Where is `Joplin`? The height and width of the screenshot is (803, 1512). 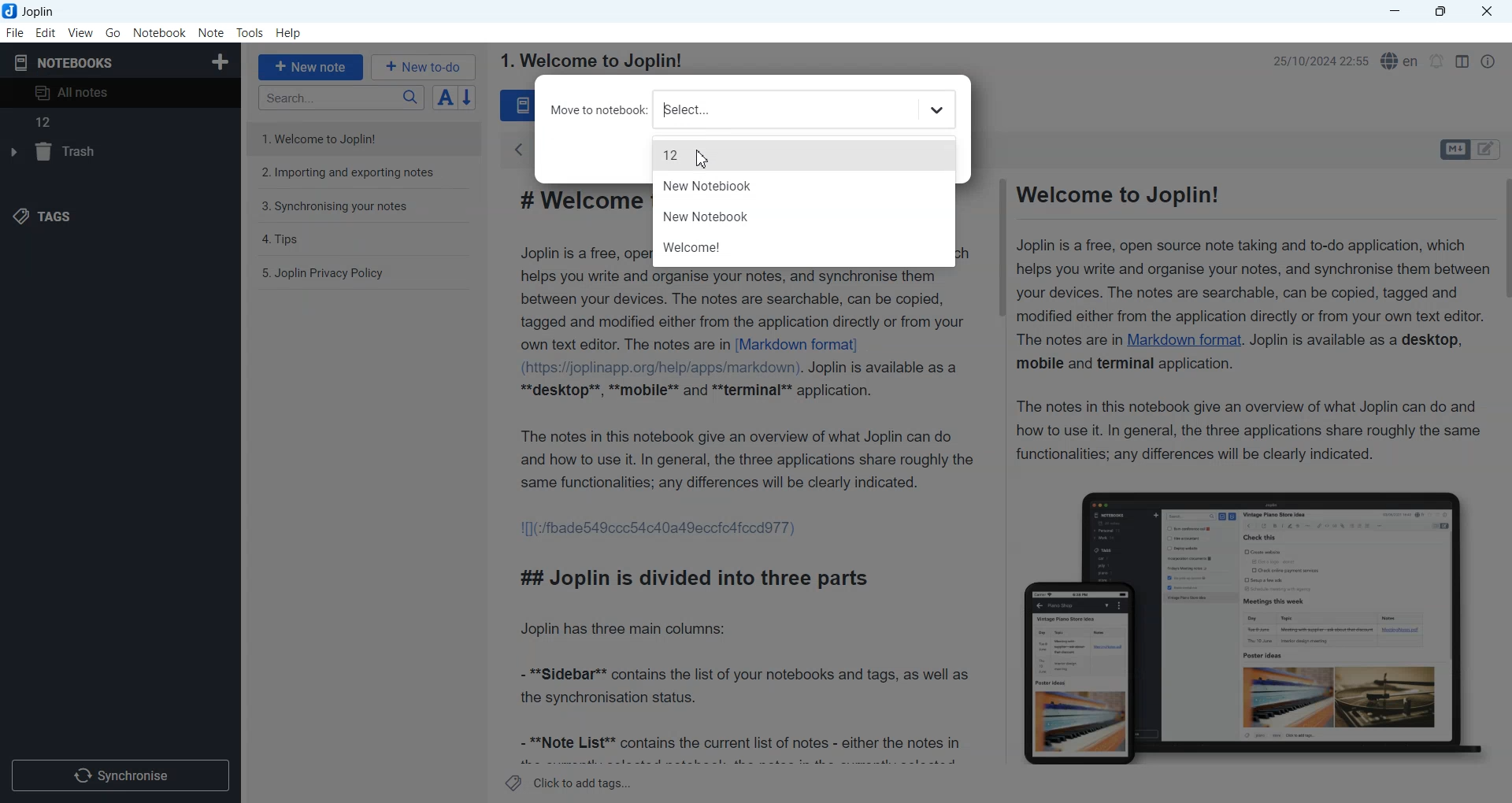
Joplin is located at coordinates (34, 11).